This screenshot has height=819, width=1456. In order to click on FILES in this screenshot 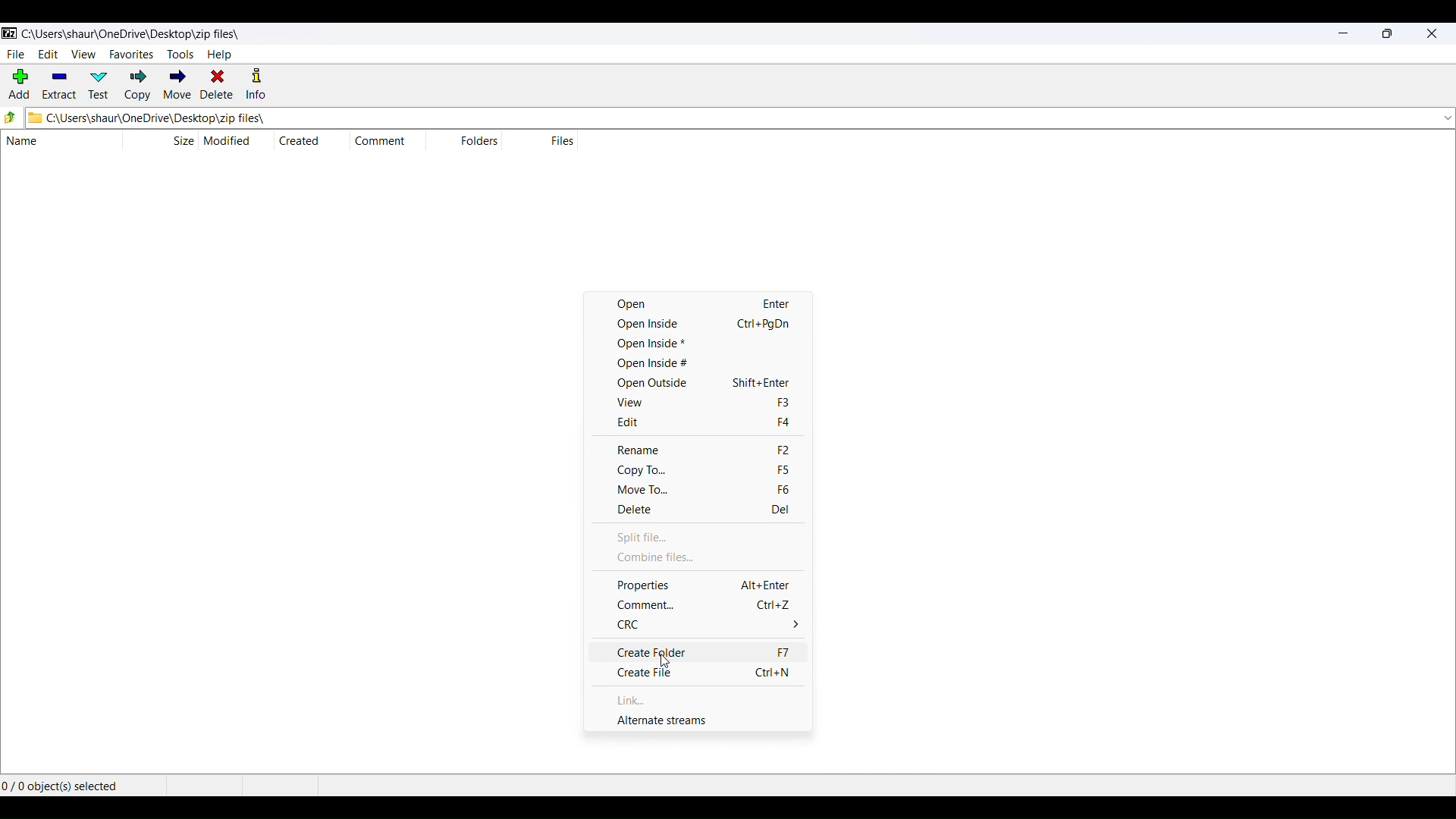, I will do `click(561, 140)`.